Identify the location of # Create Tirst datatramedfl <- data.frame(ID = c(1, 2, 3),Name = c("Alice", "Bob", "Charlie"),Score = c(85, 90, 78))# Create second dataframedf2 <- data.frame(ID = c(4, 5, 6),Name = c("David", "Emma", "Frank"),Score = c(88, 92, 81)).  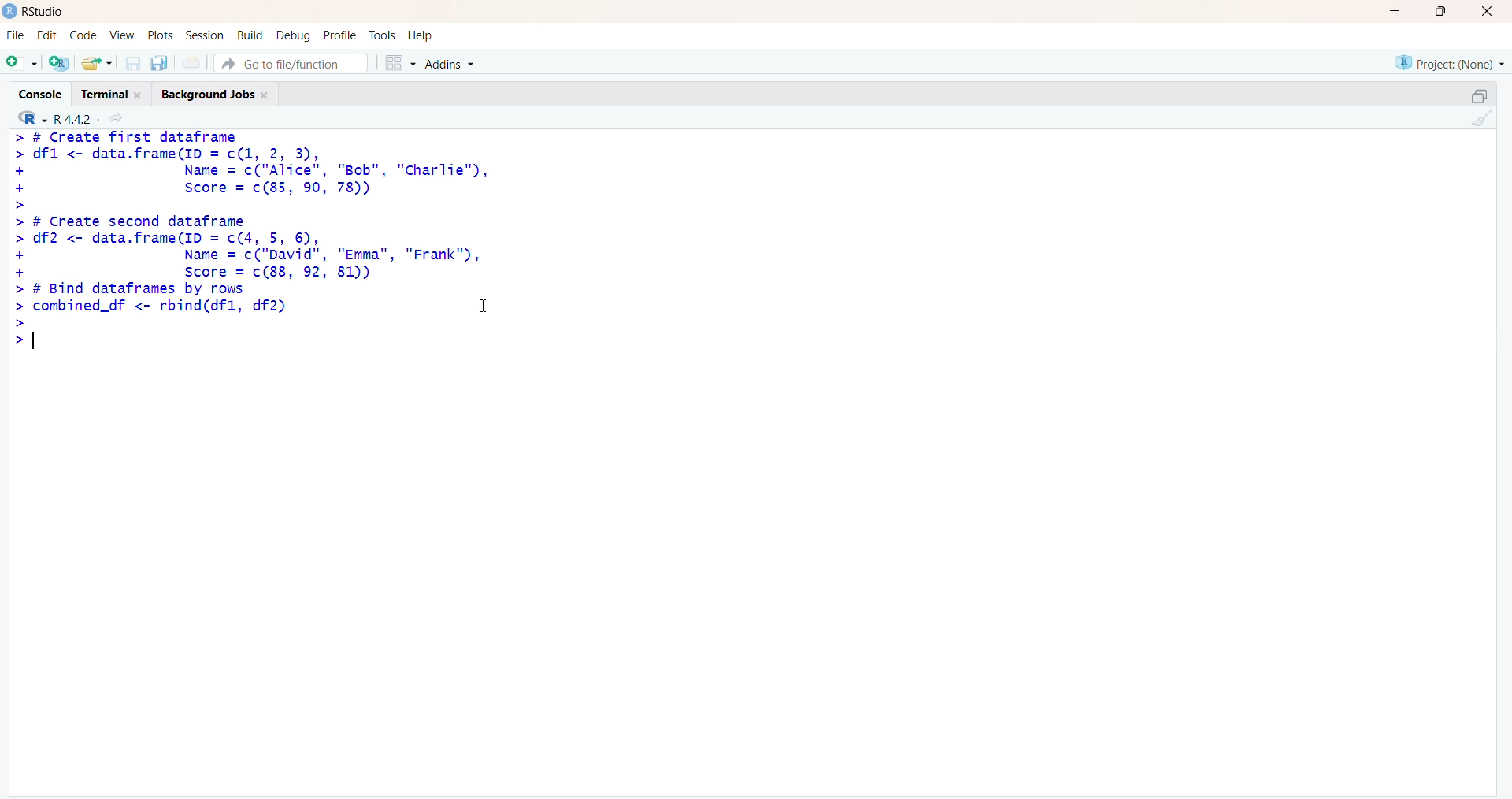
(255, 205).